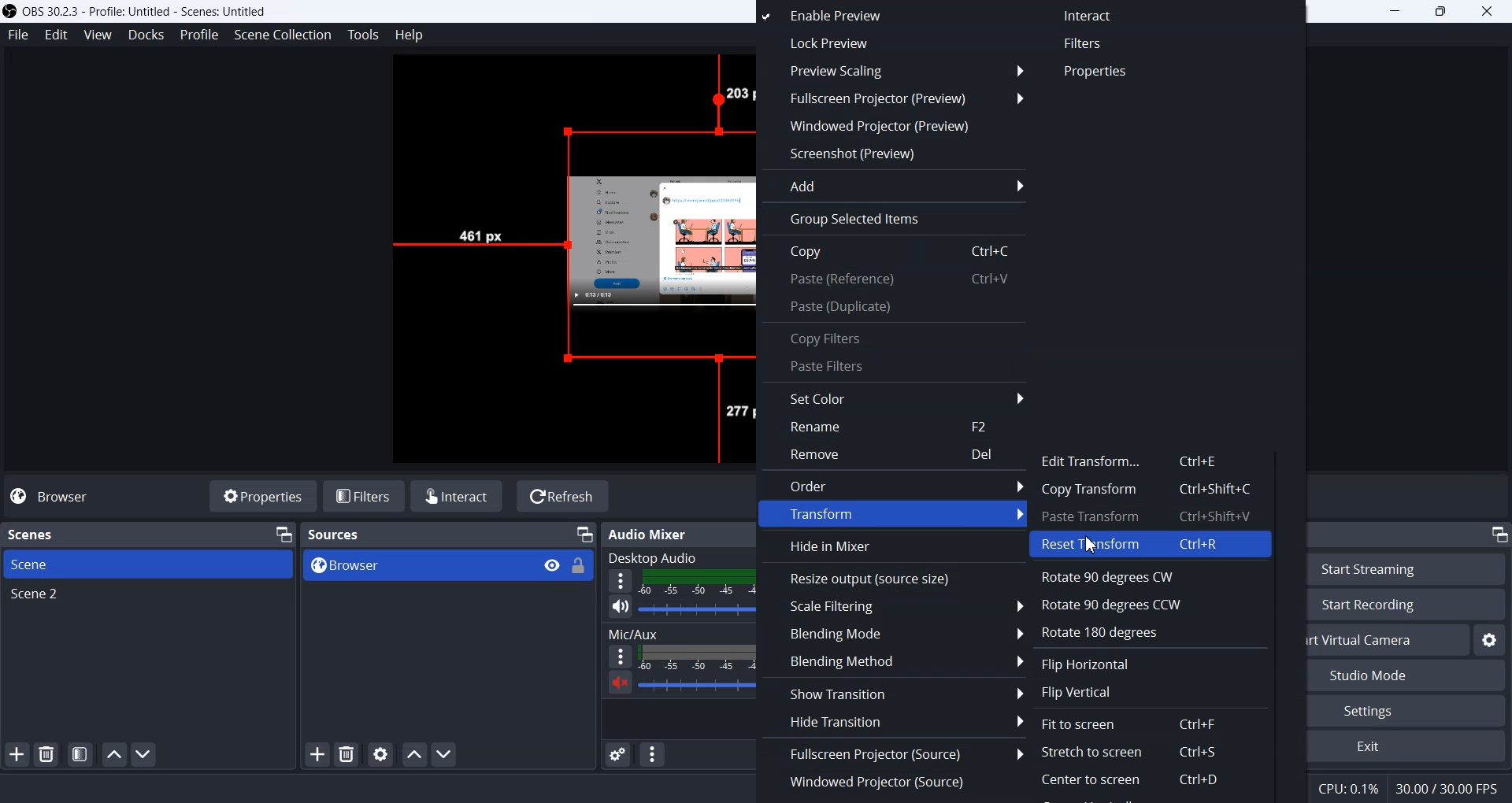  What do you see at coordinates (285, 534) in the screenshot?
I see `Minimize` at bounding box center [285, 534].